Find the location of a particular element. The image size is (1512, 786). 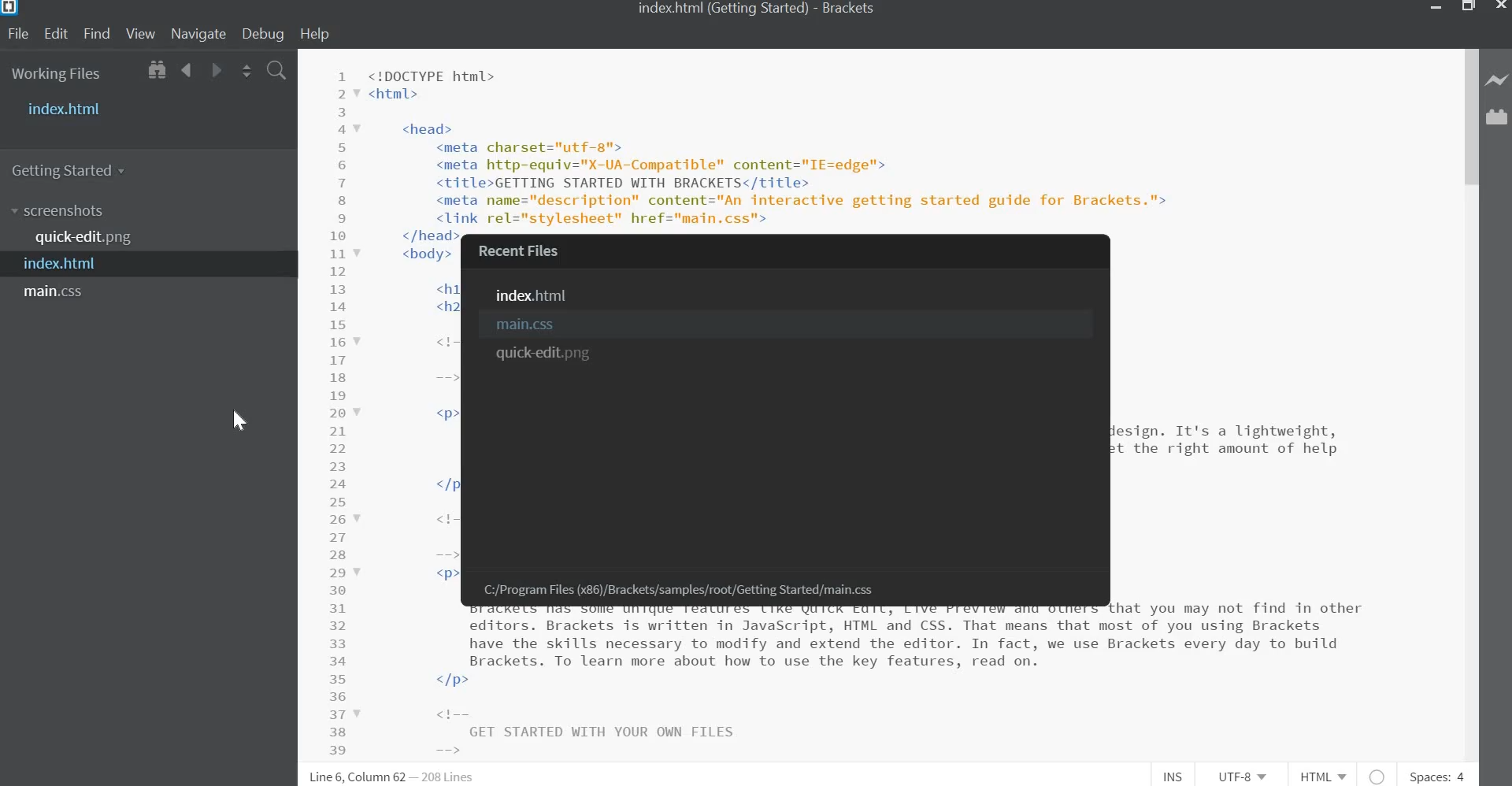

View is located at coordinates (140, 35).